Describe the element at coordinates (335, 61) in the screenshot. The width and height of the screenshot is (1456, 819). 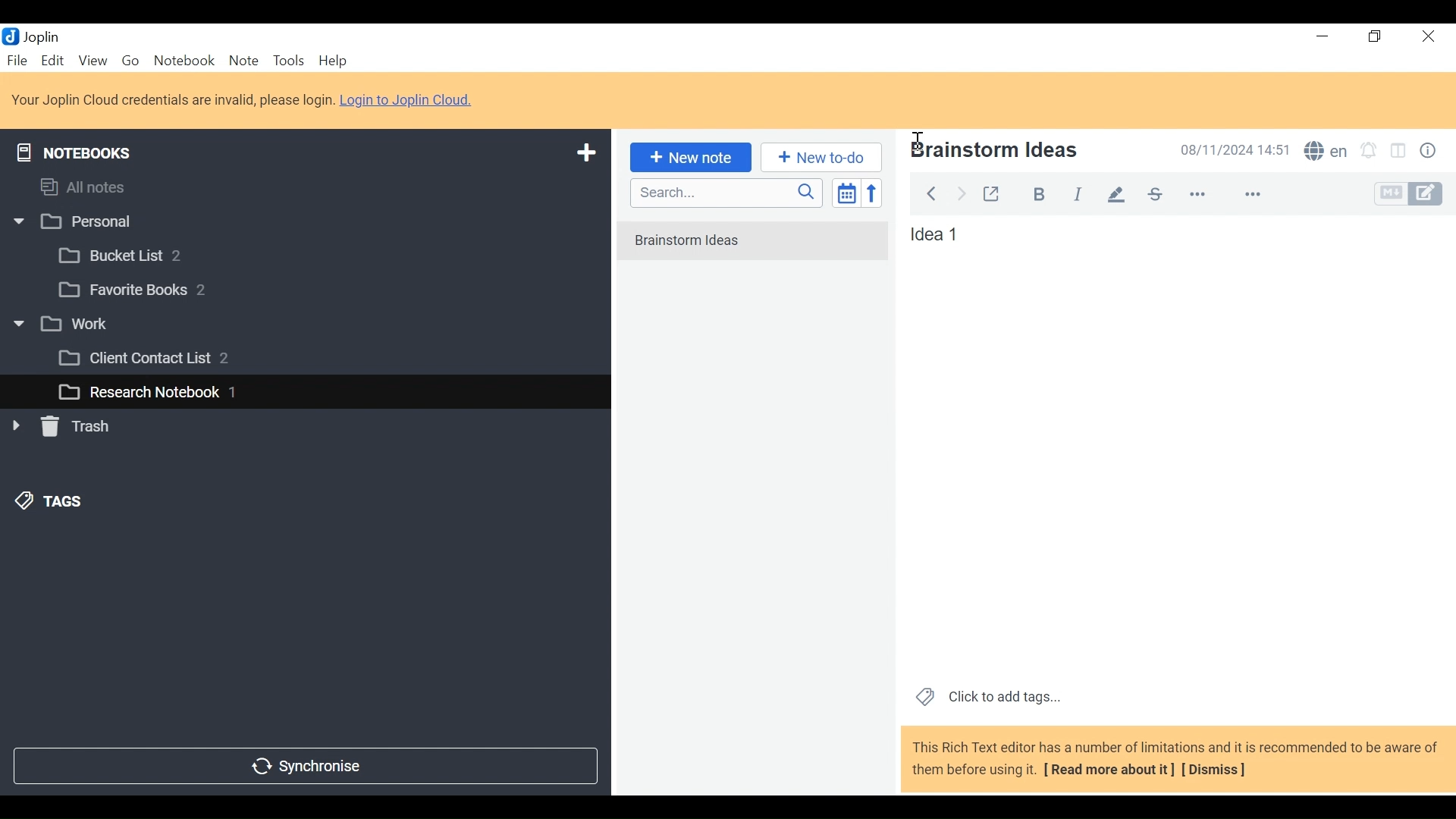
I see `Help` at that location.